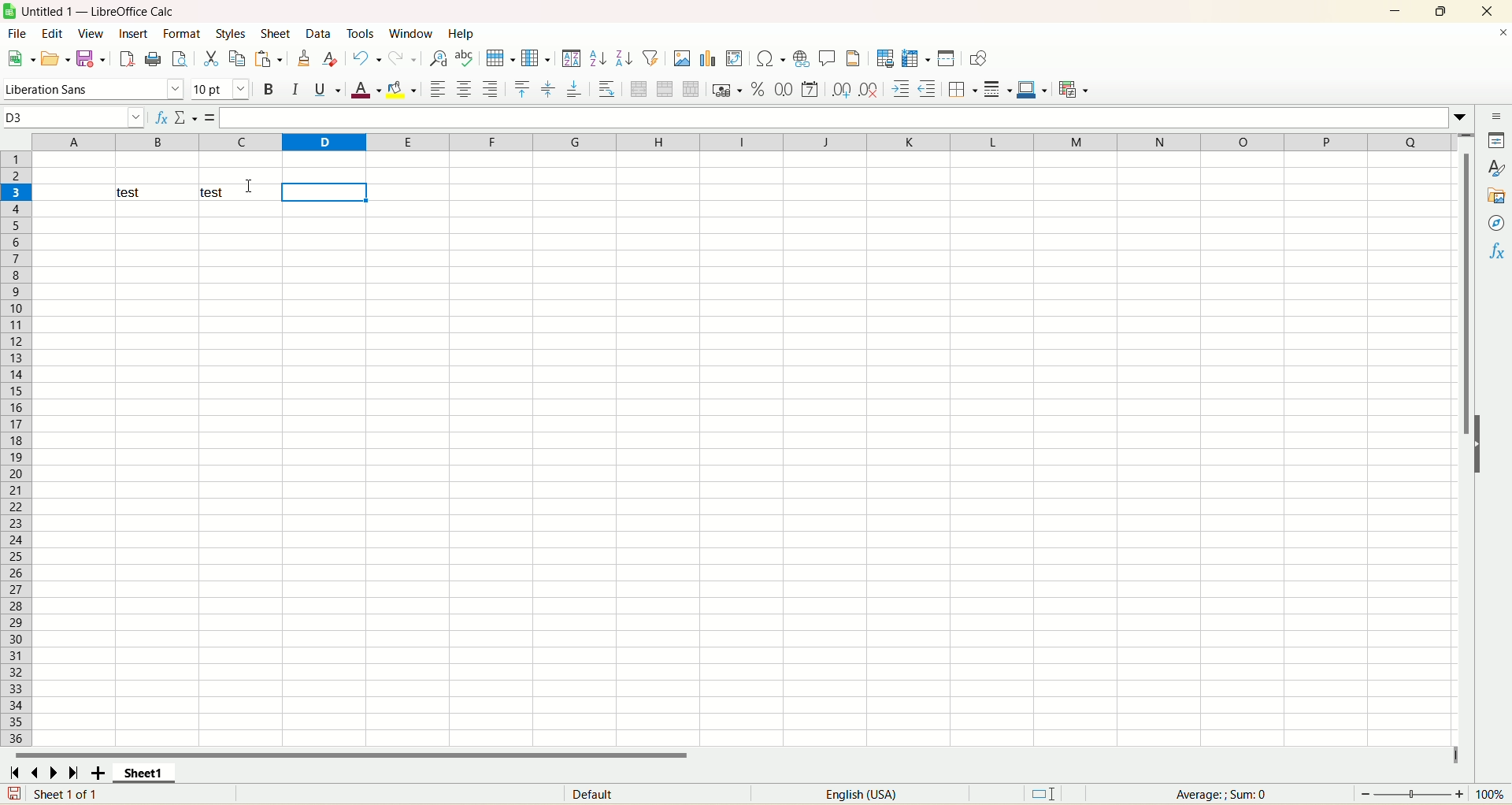 Image resolution: width=1512 pixels, height=805 pixels. What do you see at coordinates (153, 58) in the screenshot?
I see `print` at bounding box center [153, 58].